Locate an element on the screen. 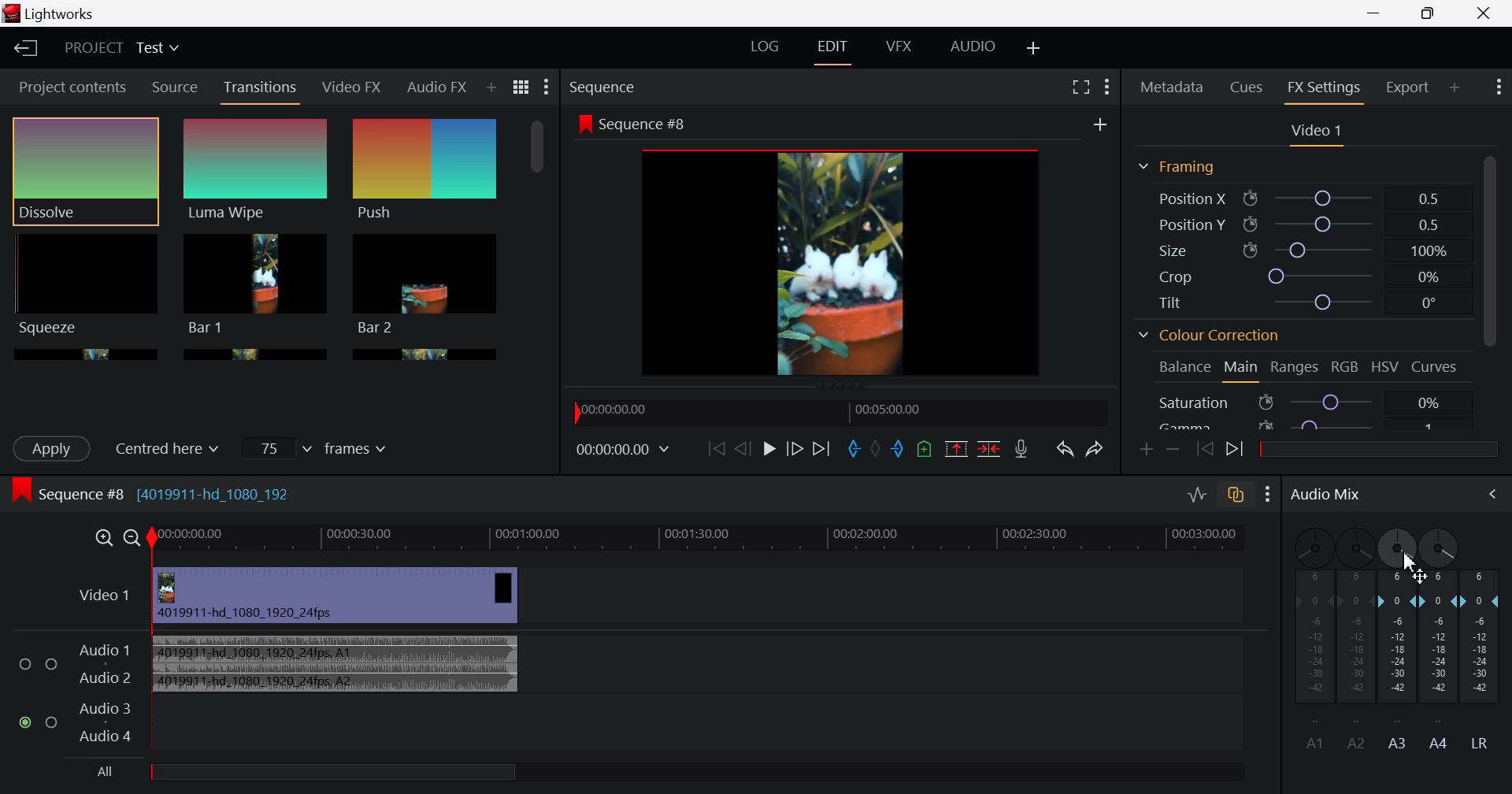  Record Voiceover  is located at coordinates (1021, 448).